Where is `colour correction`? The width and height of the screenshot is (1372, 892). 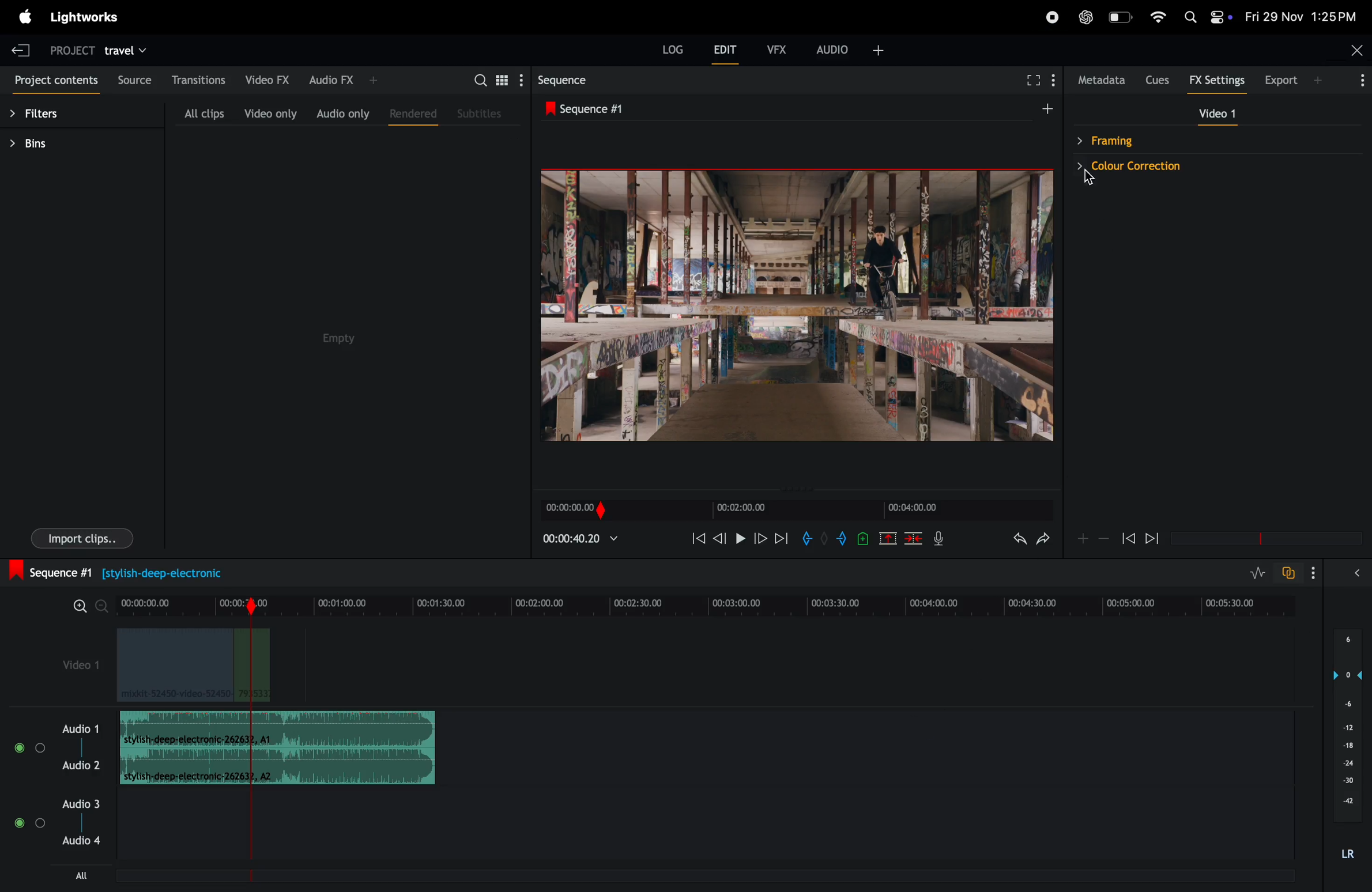
colour correction is located at coordinates (1206, 168).